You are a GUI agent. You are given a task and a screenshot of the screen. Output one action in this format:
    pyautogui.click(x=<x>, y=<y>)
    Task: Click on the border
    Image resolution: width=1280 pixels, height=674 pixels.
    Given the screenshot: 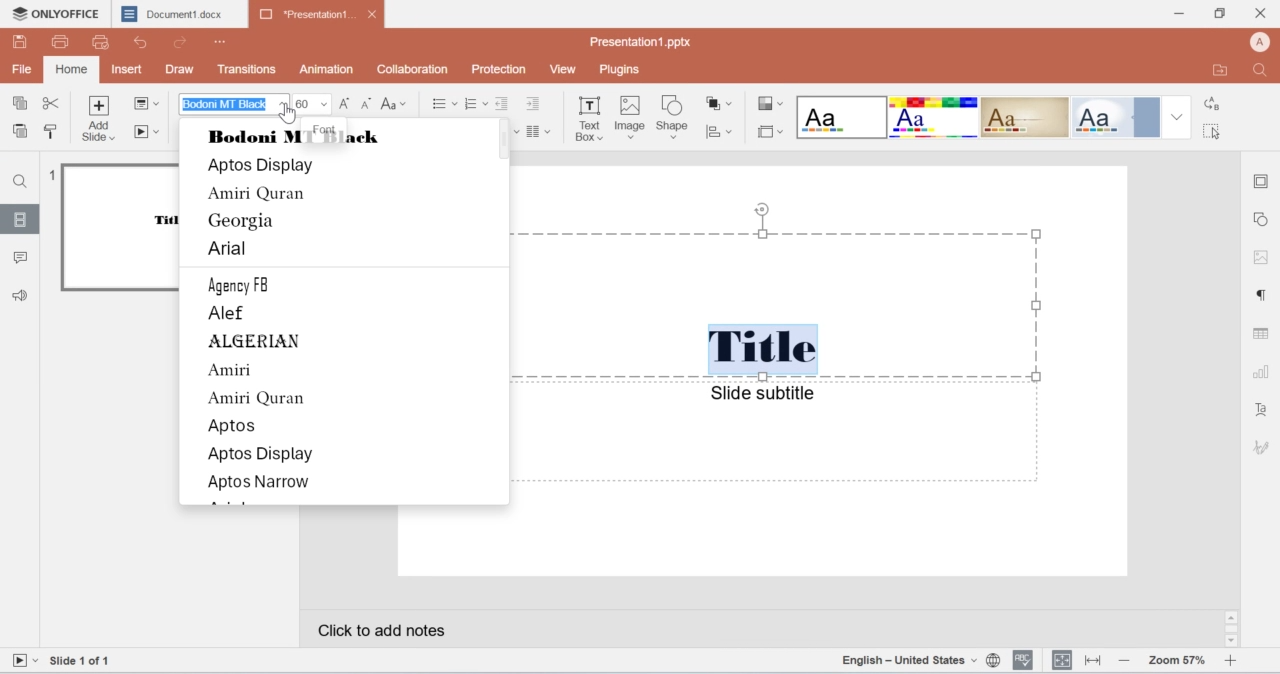 What is the action you would take?
    pyautogui.click(x=767, y=131)
    